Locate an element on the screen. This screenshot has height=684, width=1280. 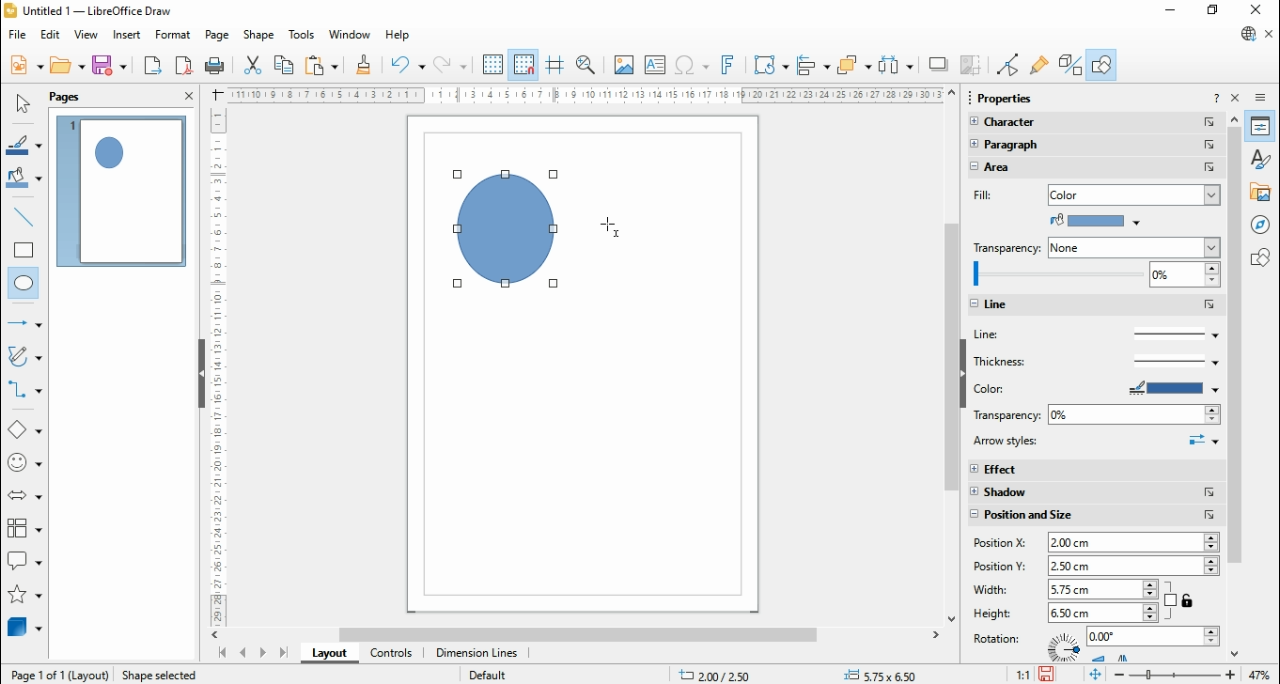
clone formatting is located at coordinates (364, 64).